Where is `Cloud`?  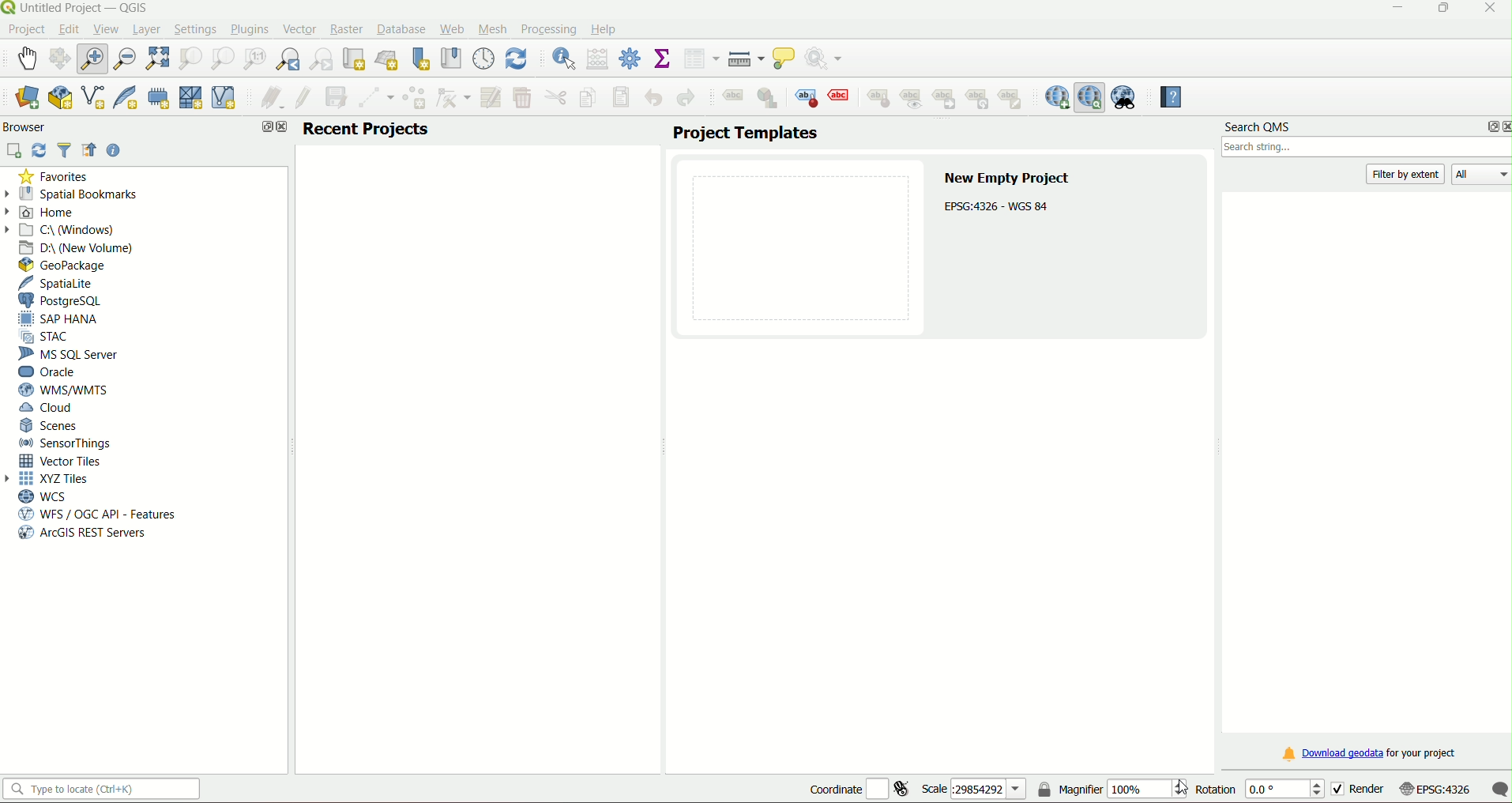 Cloud is located at coordinates (49, 409).